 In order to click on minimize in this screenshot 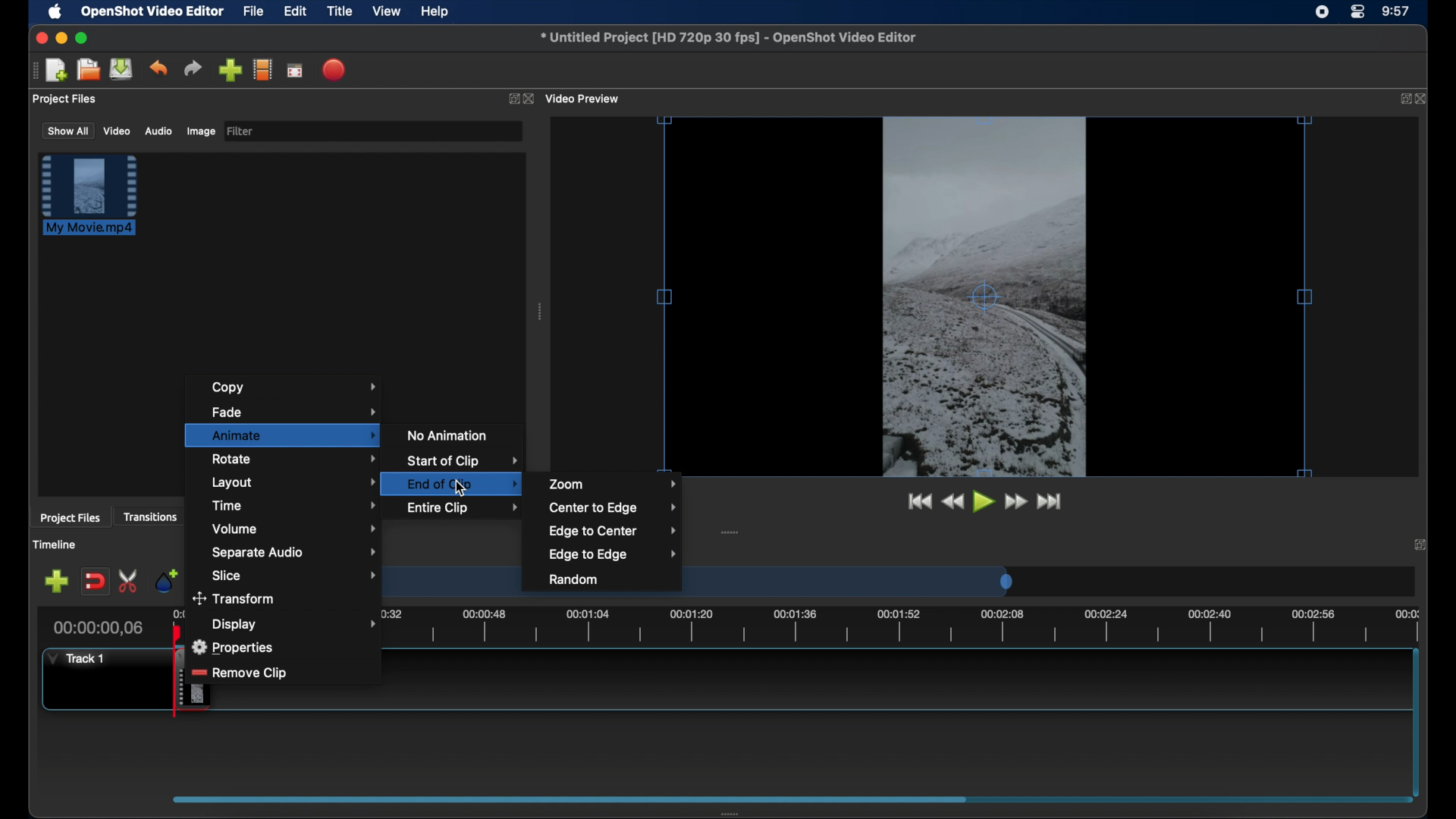, I will do `click(61, 38)`.